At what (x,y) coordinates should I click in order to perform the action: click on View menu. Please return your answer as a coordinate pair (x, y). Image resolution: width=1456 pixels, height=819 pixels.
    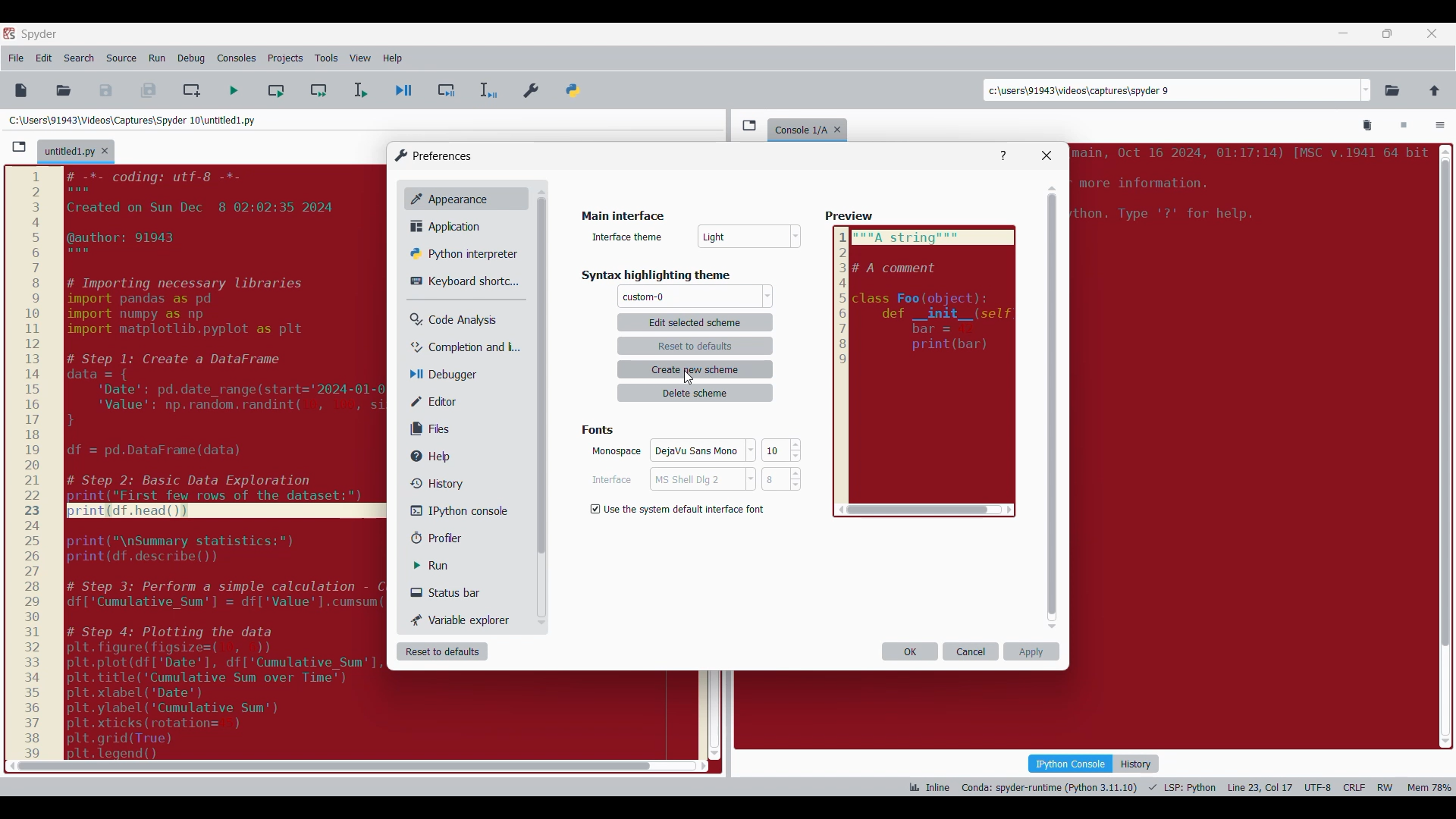
    Looking at the image, I should click on (360, 58).